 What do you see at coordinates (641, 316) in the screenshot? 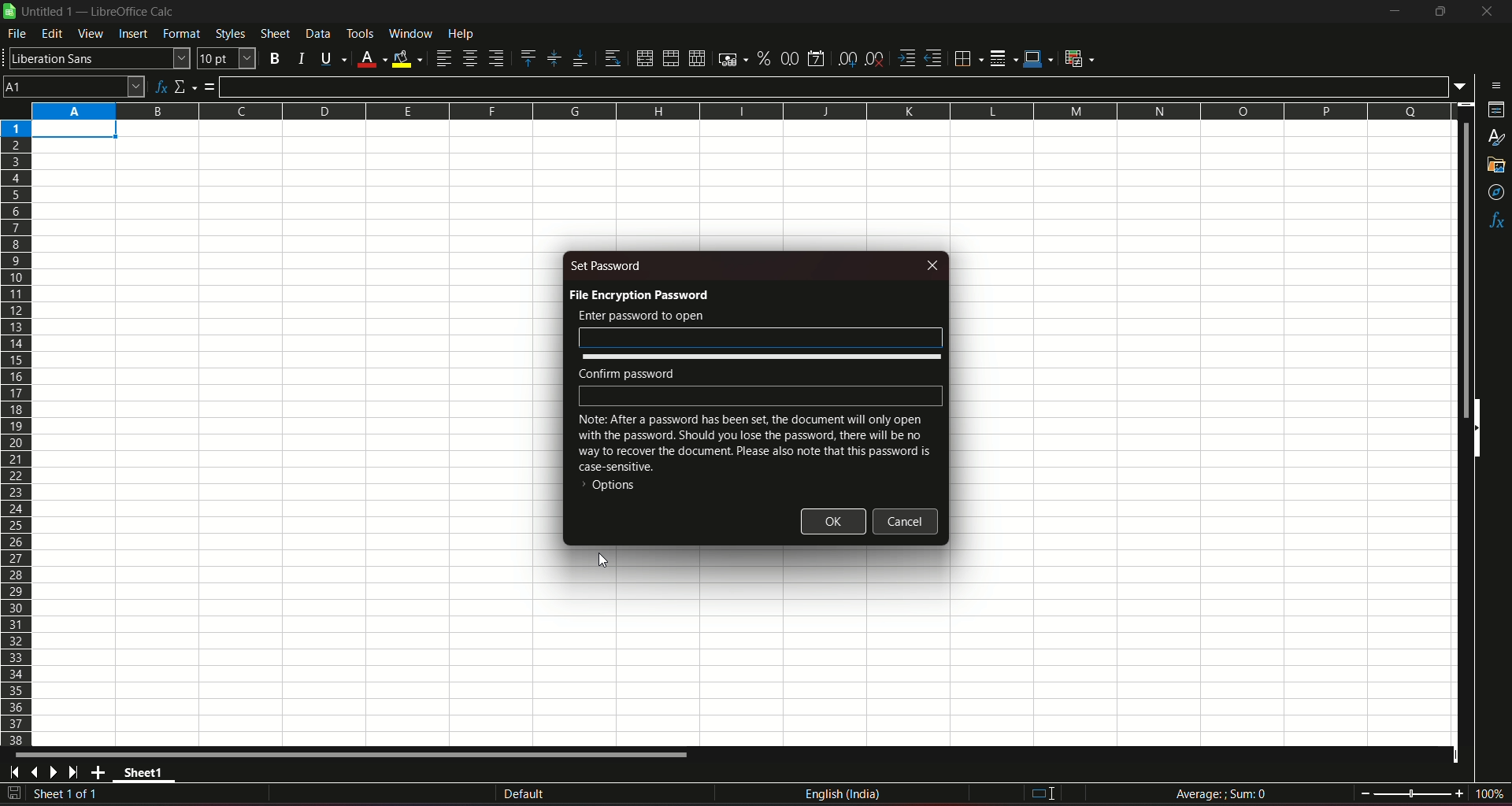
I see `enter password to open` at bounding box center [641, 316].